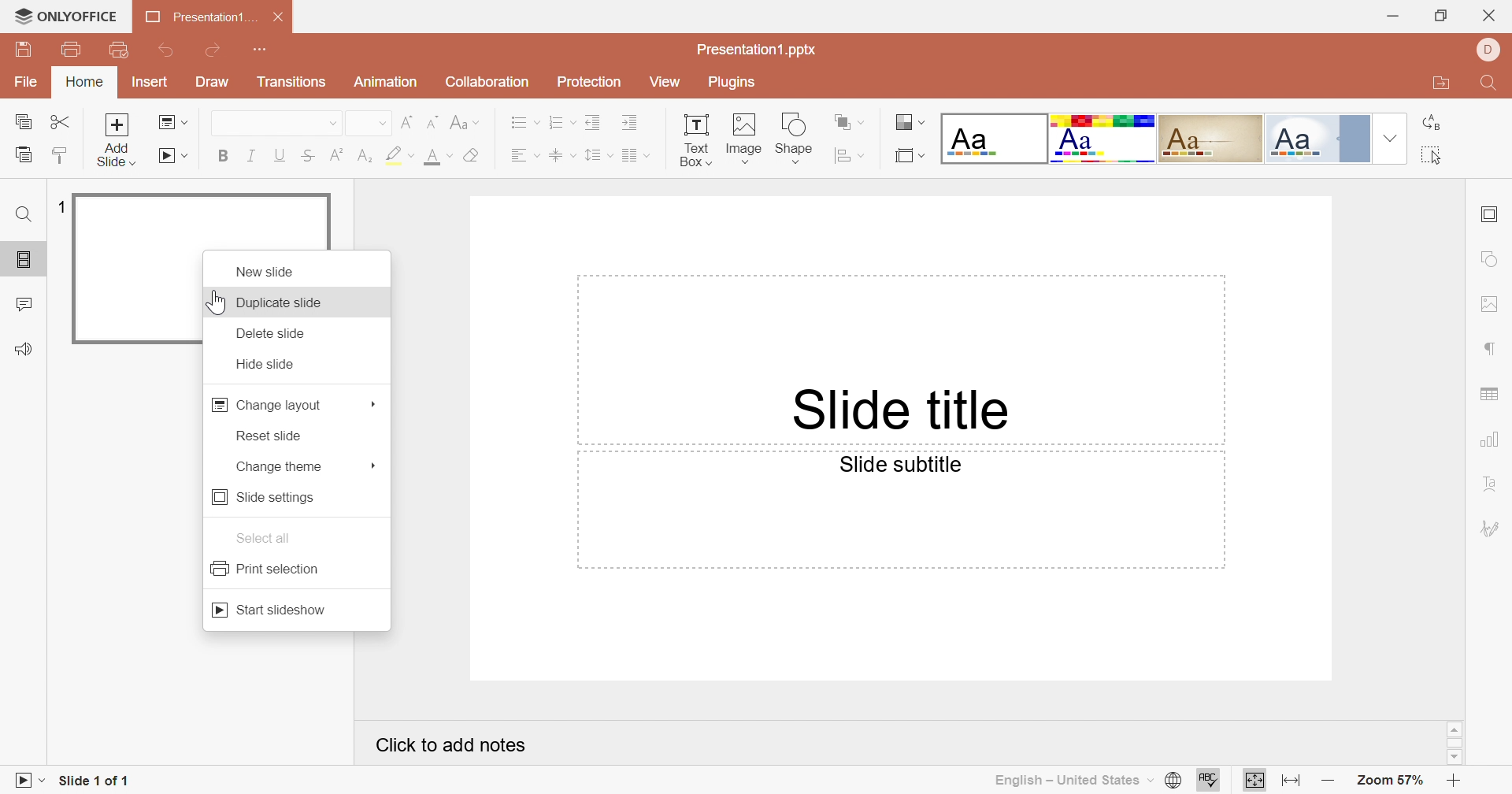 The height and width of the screenshot is (794, 1512). Describe the element at coordinates (124, 50) in the screenshot. I see `Quick Print` at that location.